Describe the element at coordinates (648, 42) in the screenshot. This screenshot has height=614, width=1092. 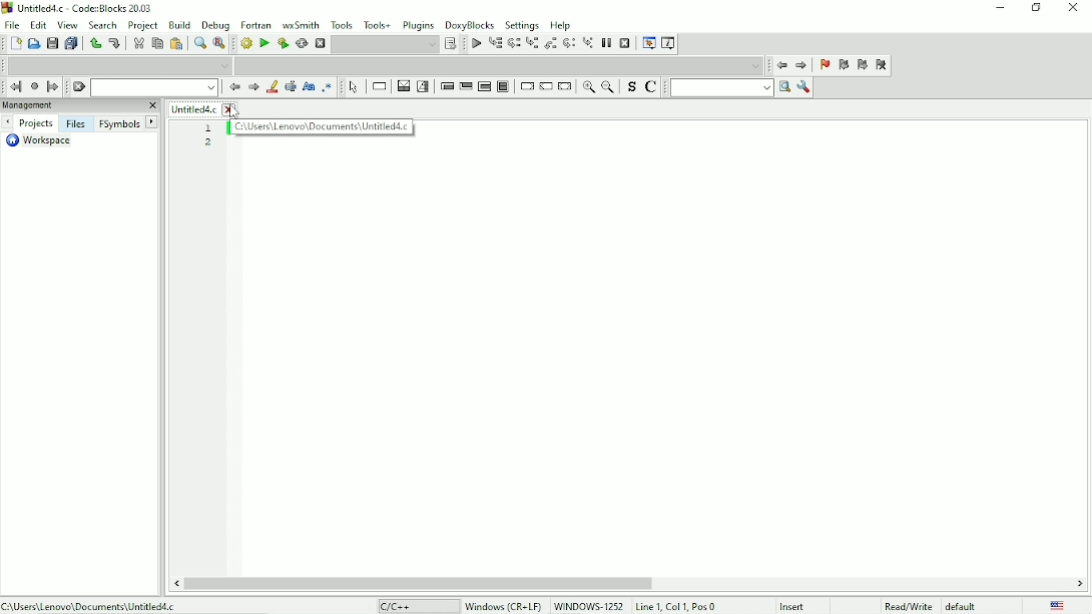
I see `Debugging windows` at that location.